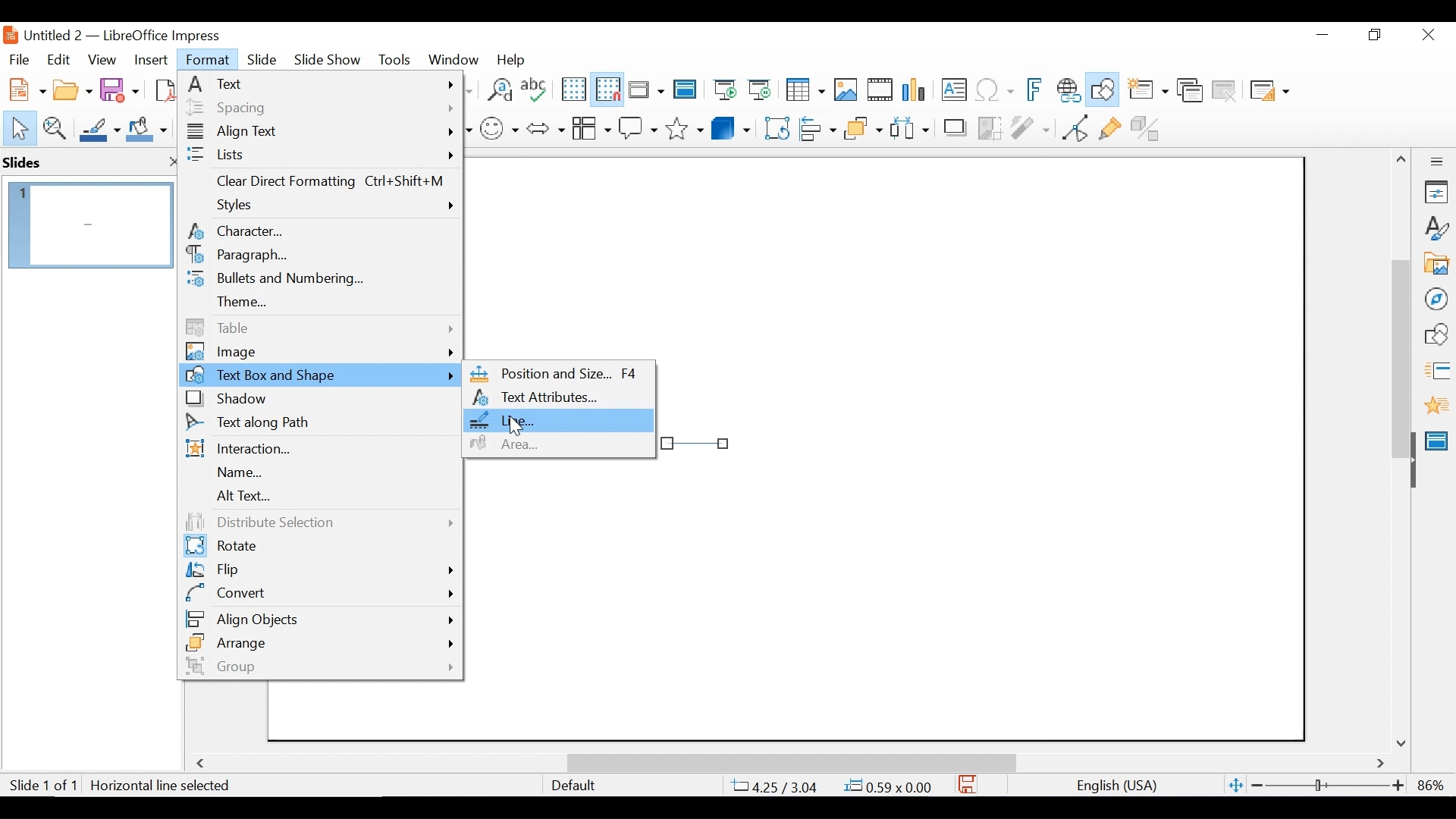 The height and width of the screenshot is (819, 1456). Describe the element at coordinates (203, 764) in the screenshot. I see `Scroll Left` at that location.